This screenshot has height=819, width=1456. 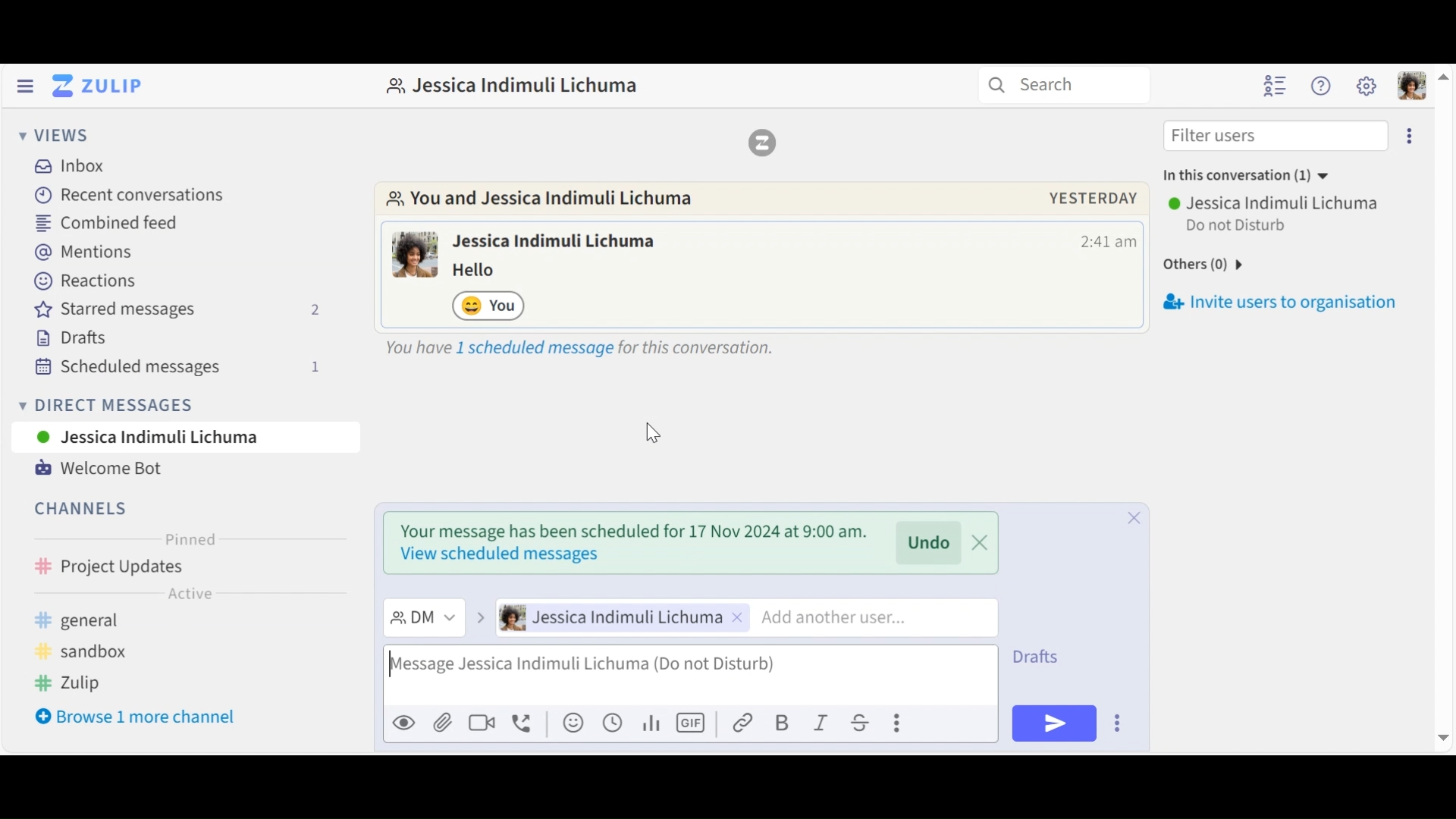 What do you see at coordinates (416, 254) in the screenshot?
I see `View user card` at bounding box center [416, 254].